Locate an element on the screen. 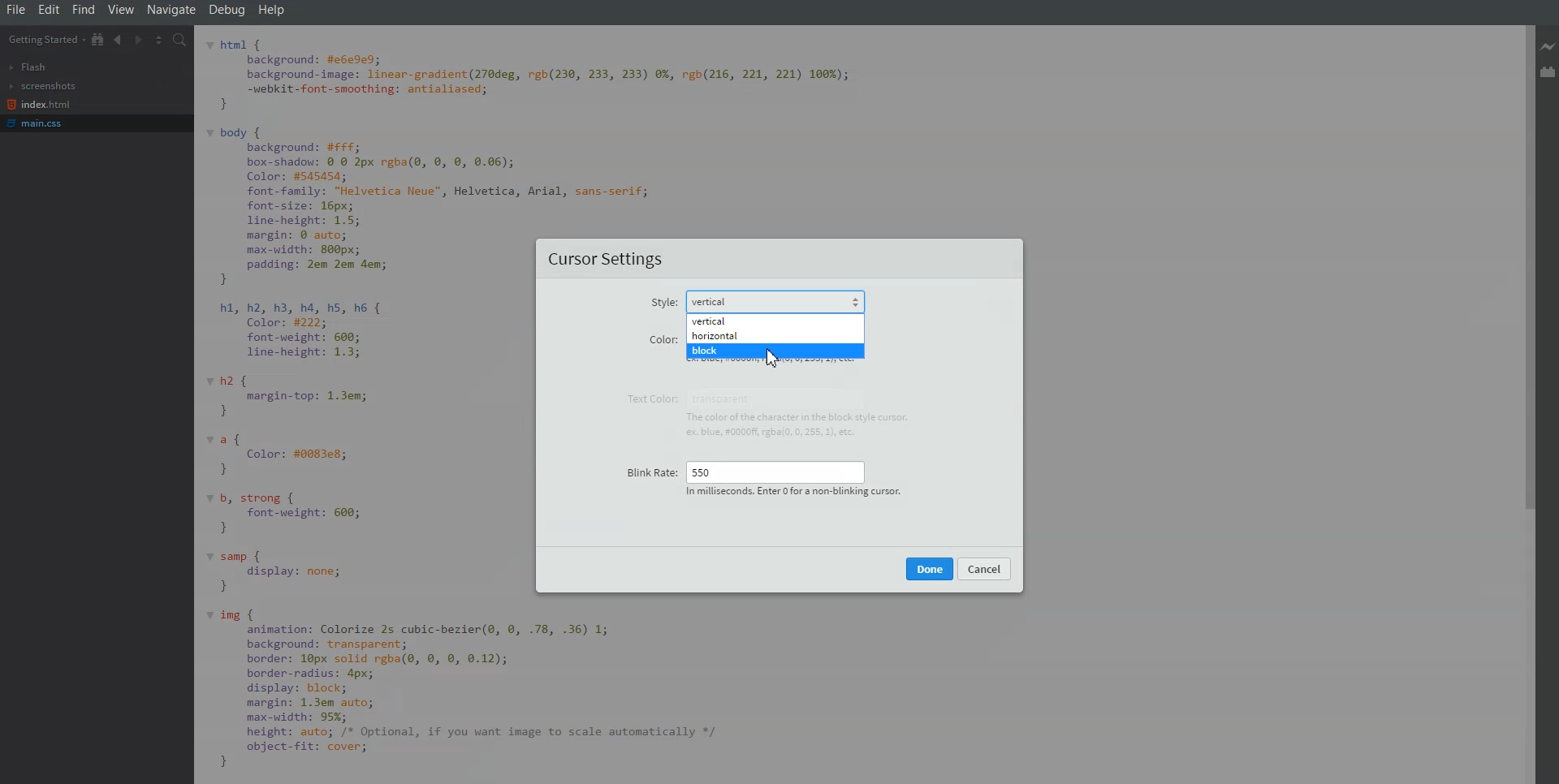 The width and height of the screenshot is (1559, 784). Extension Manager is located at coordinates (1549, 71).